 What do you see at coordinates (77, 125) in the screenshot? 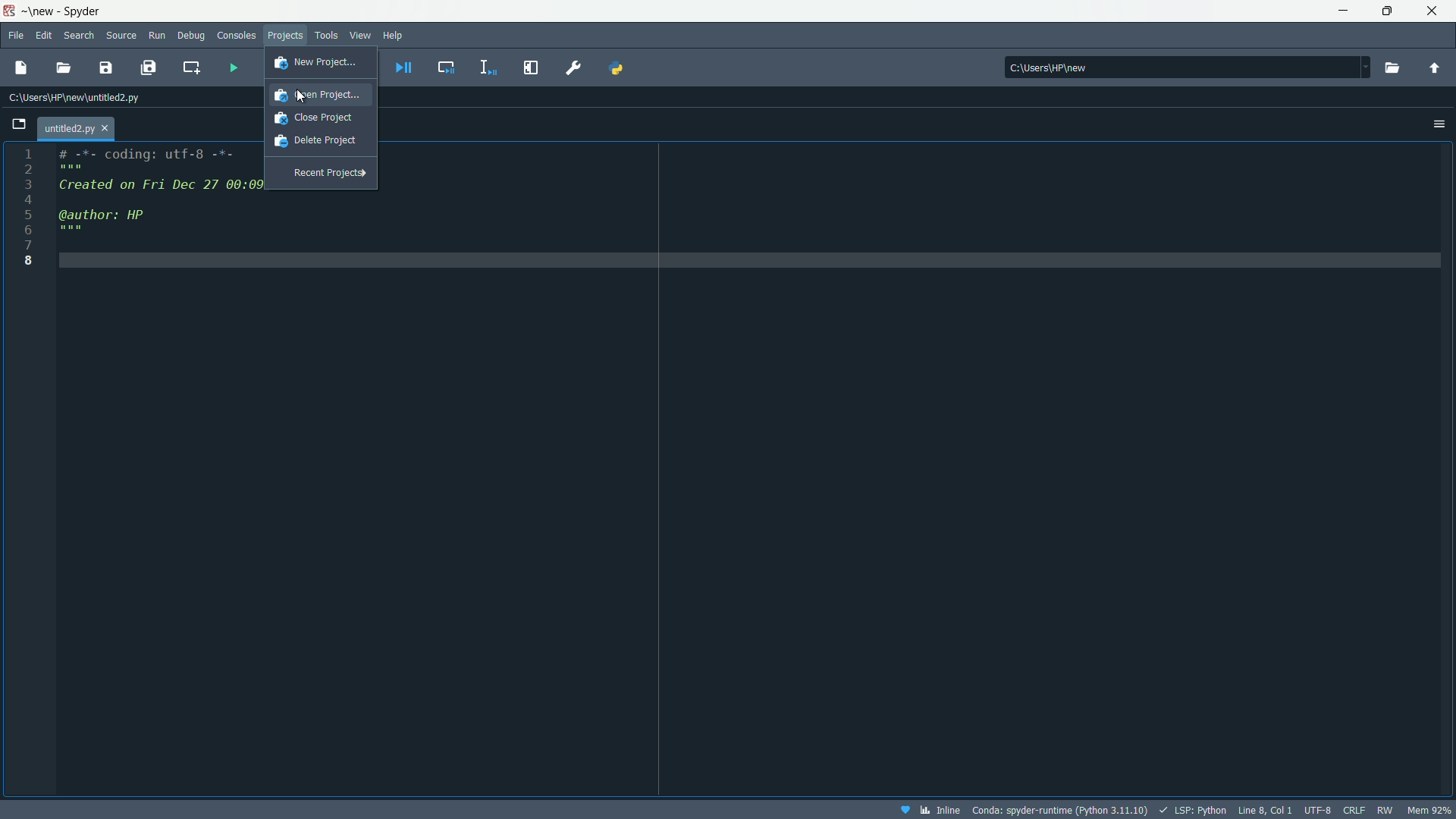
I see `python file` at bounding box center [77, 125].